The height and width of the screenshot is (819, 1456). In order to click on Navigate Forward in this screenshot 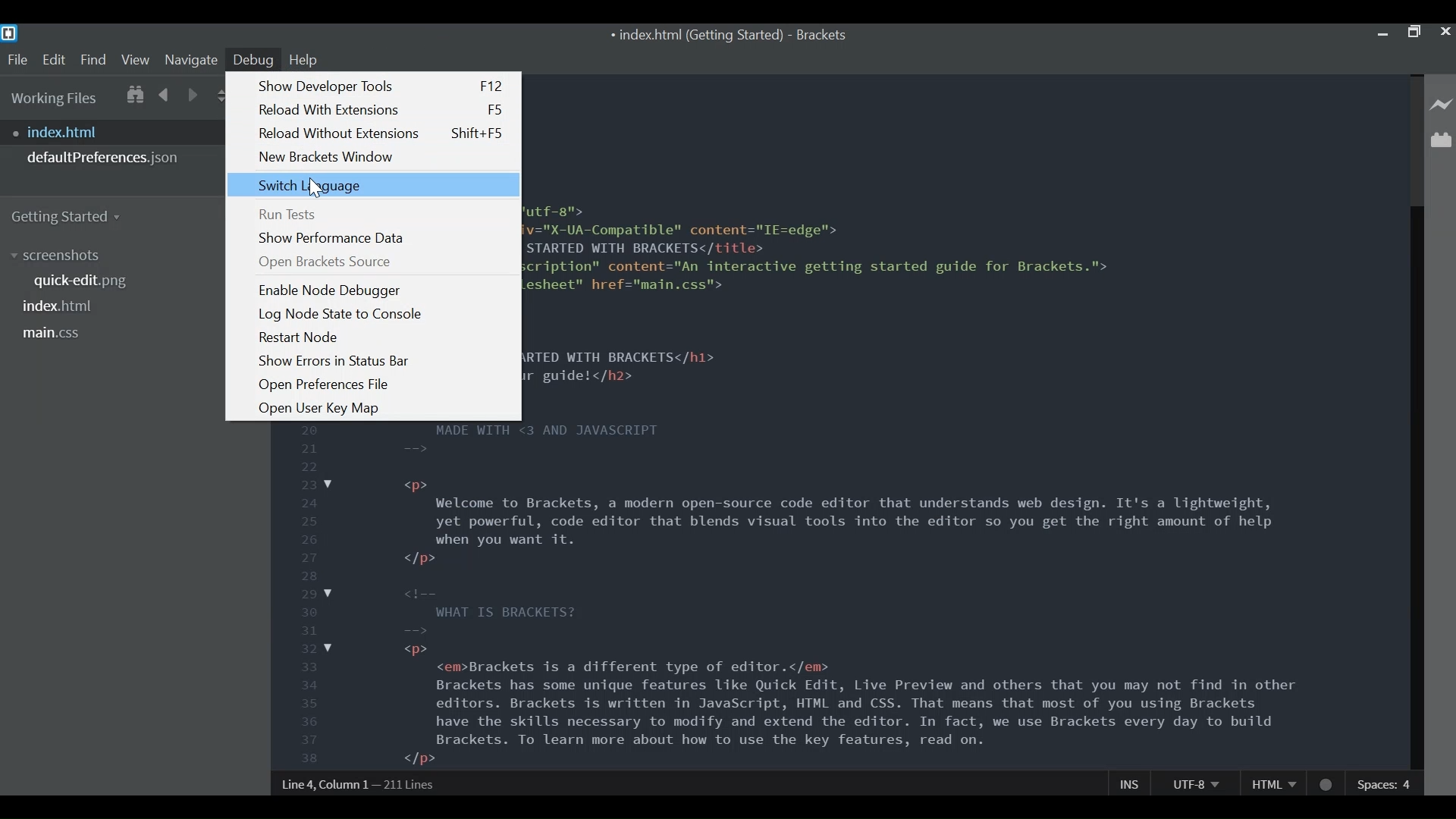, I will do `click(193, 93)`.